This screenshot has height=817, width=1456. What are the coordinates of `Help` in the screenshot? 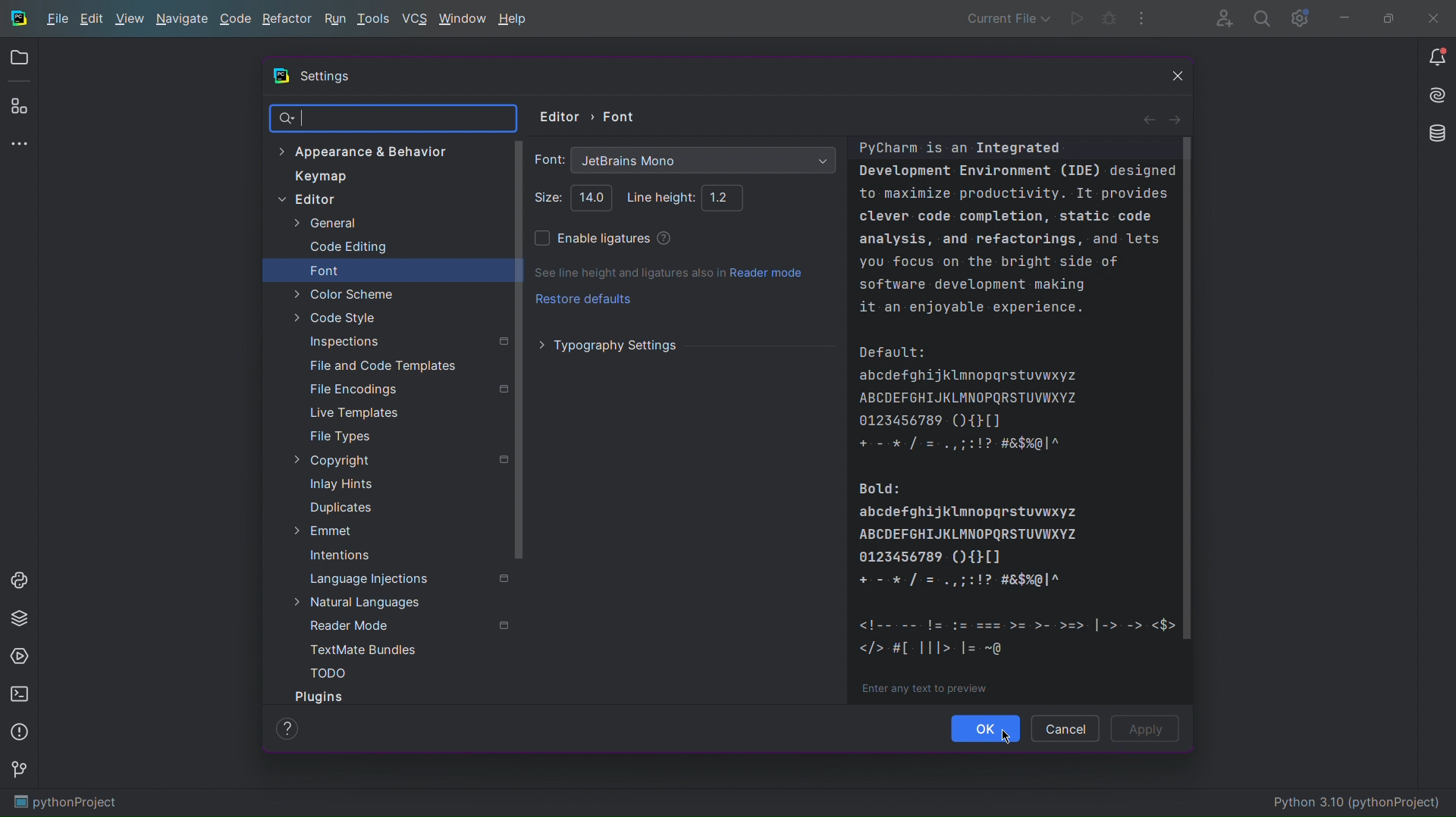 It's located at (667, 238).